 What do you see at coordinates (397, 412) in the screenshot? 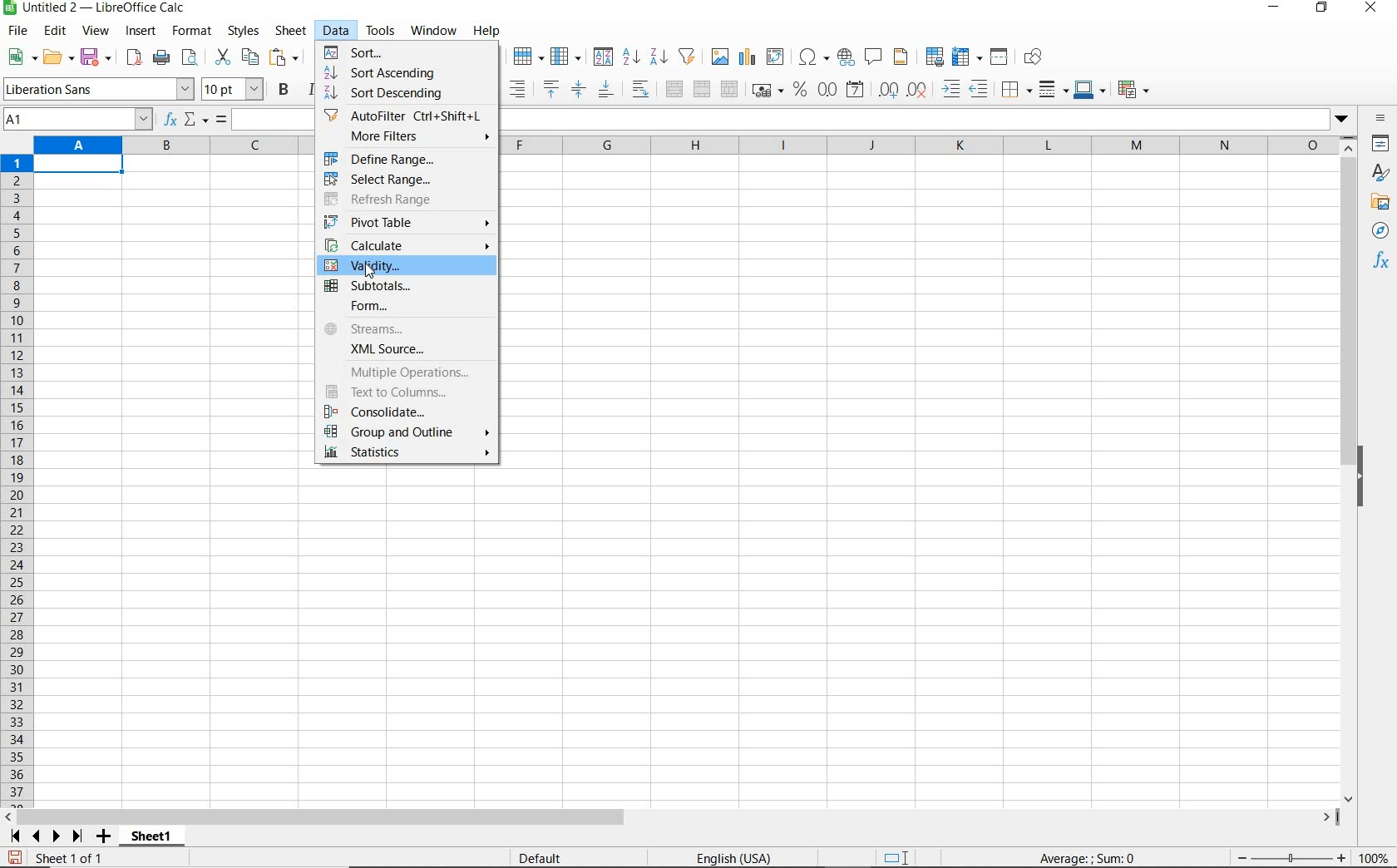
I see `consolidate` at bounding box center [397, 412].